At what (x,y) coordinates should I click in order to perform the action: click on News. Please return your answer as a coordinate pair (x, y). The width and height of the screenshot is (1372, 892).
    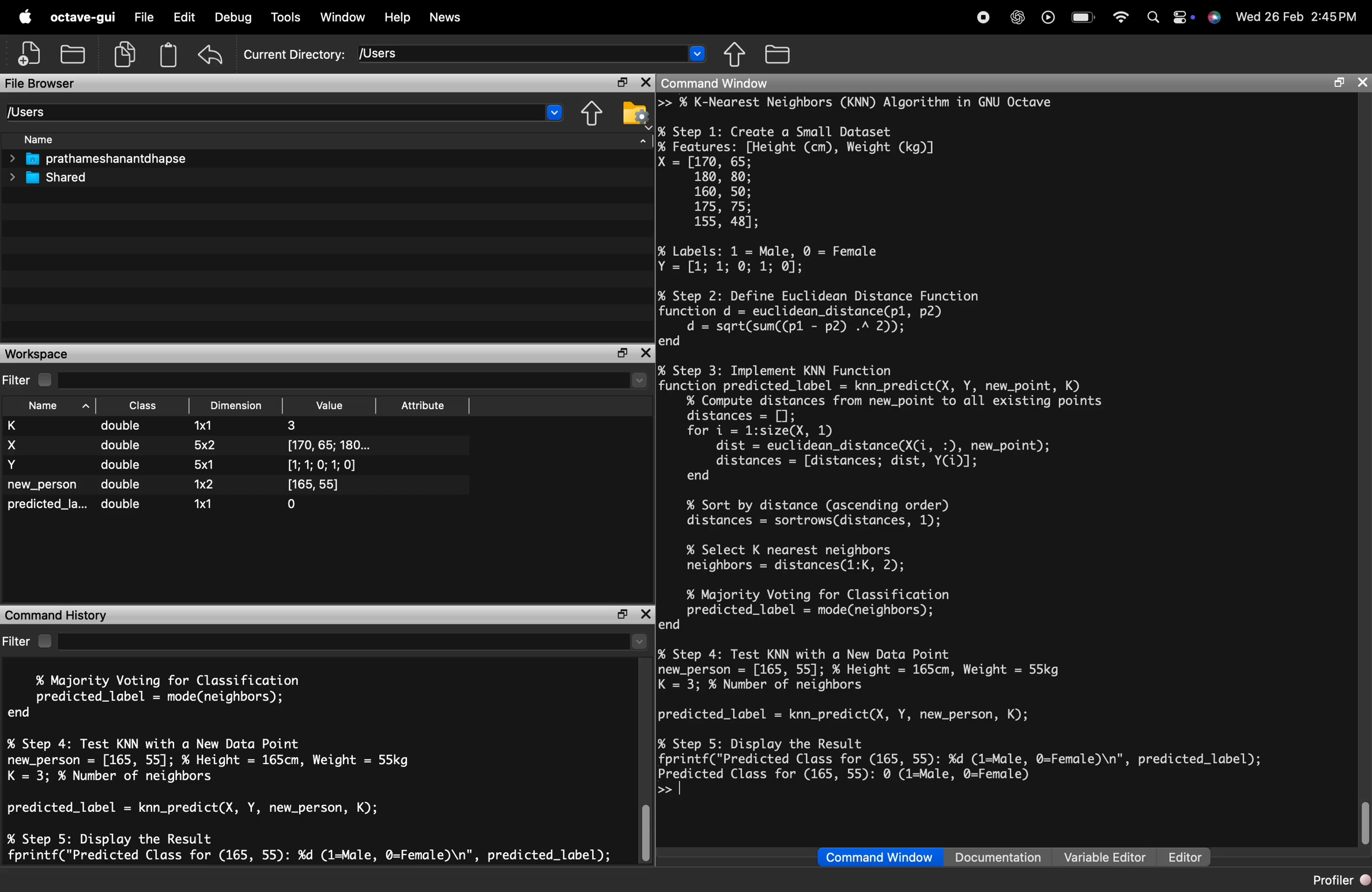
    Looking at the image, I should click on (453, 17).